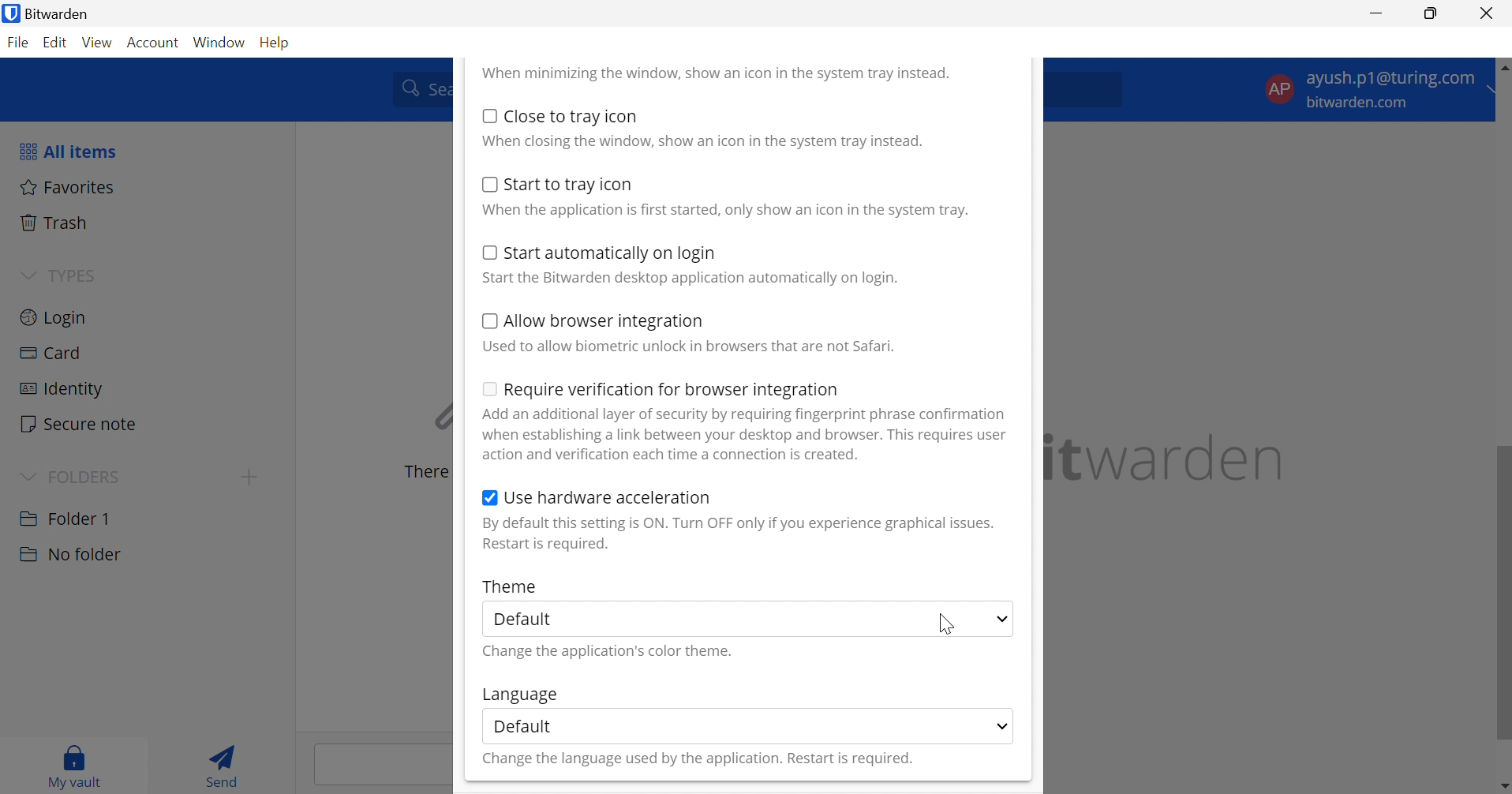 The height and width of the screenshot is (794, 1512). I want to click on Use hardware acceleration, so click(608, 497).